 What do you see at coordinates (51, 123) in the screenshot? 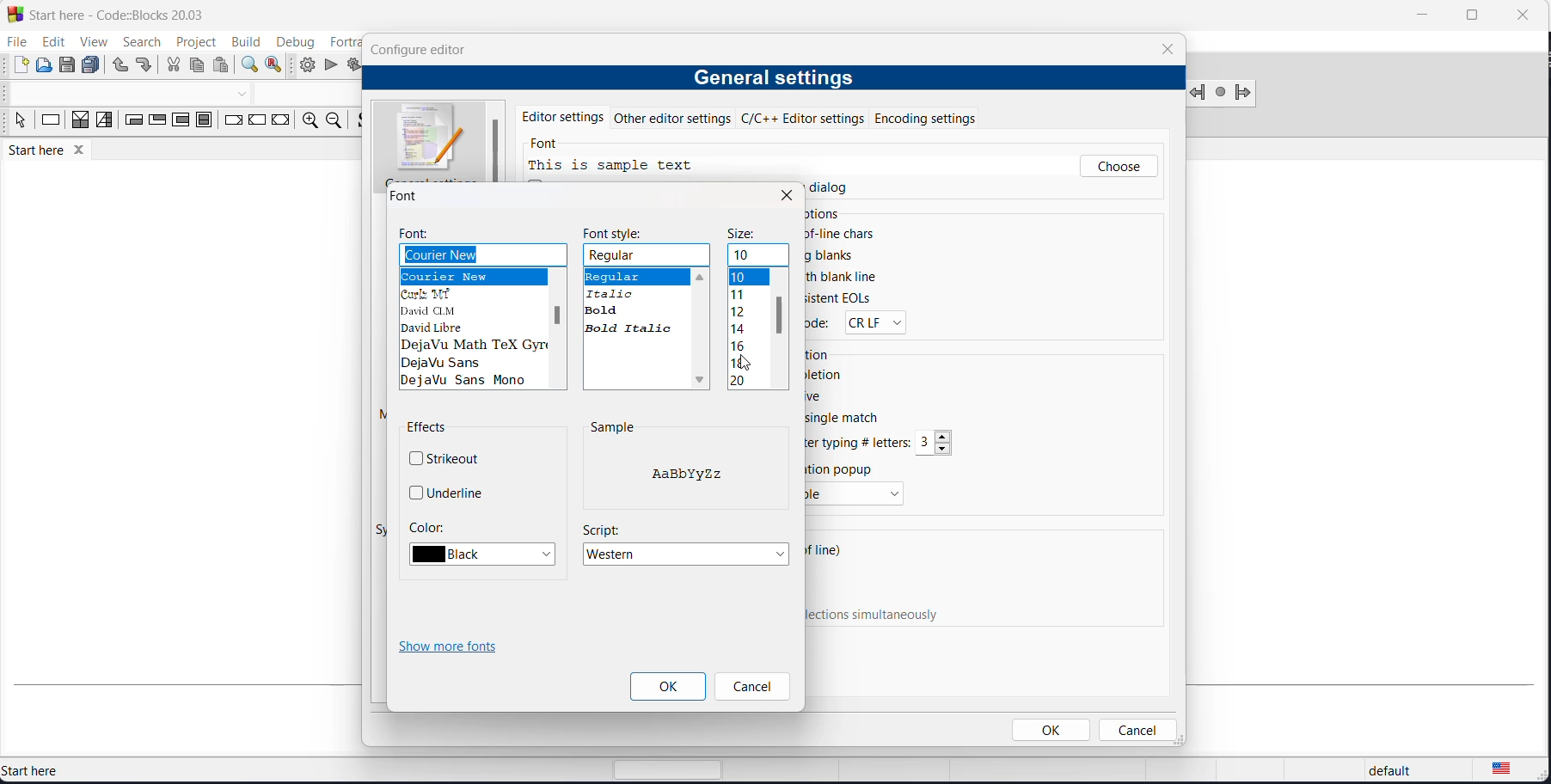
I see `instruction` at bounding box center [51, 123].